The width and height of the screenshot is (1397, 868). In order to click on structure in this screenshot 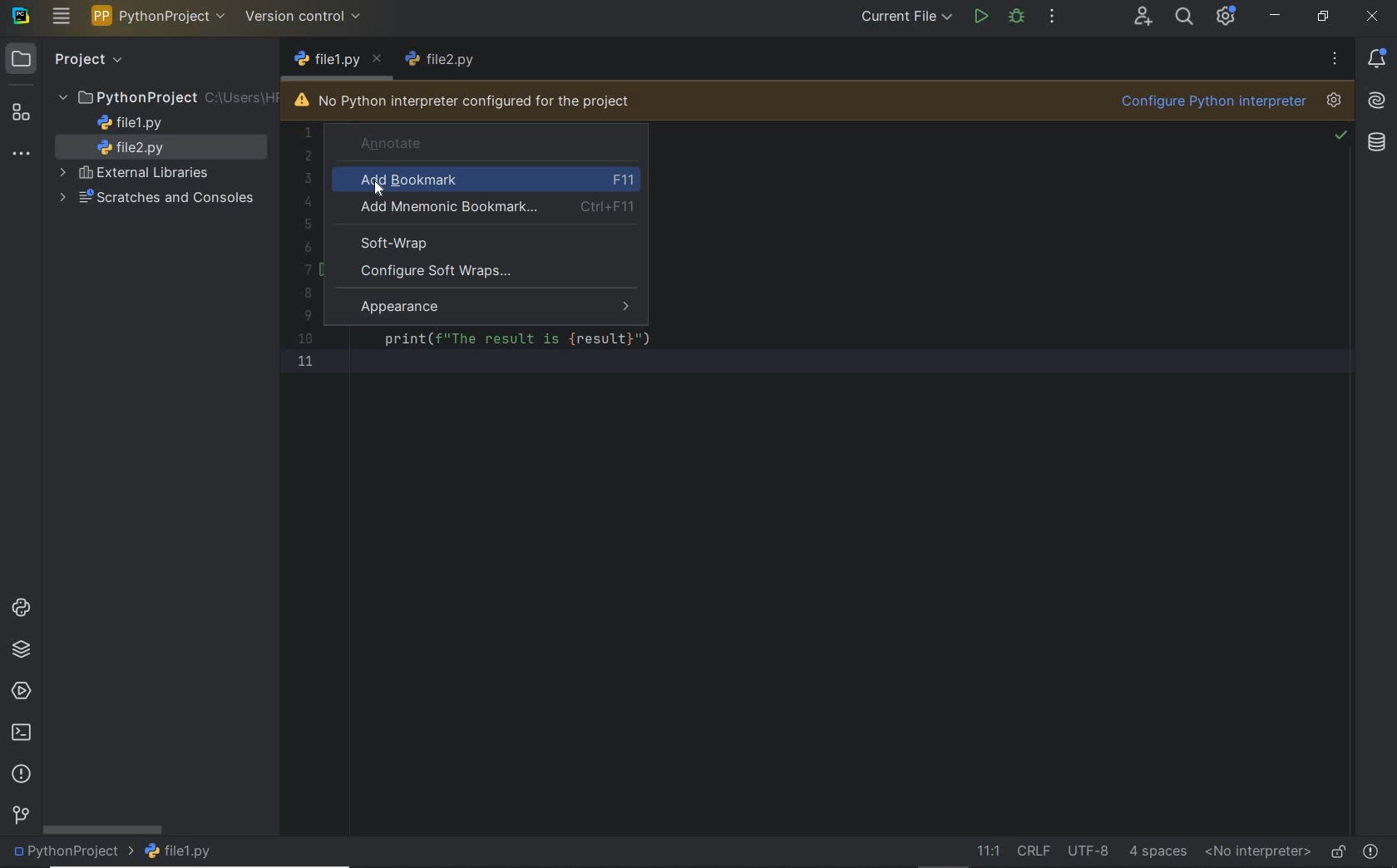, I will do `click(25, 115)`.